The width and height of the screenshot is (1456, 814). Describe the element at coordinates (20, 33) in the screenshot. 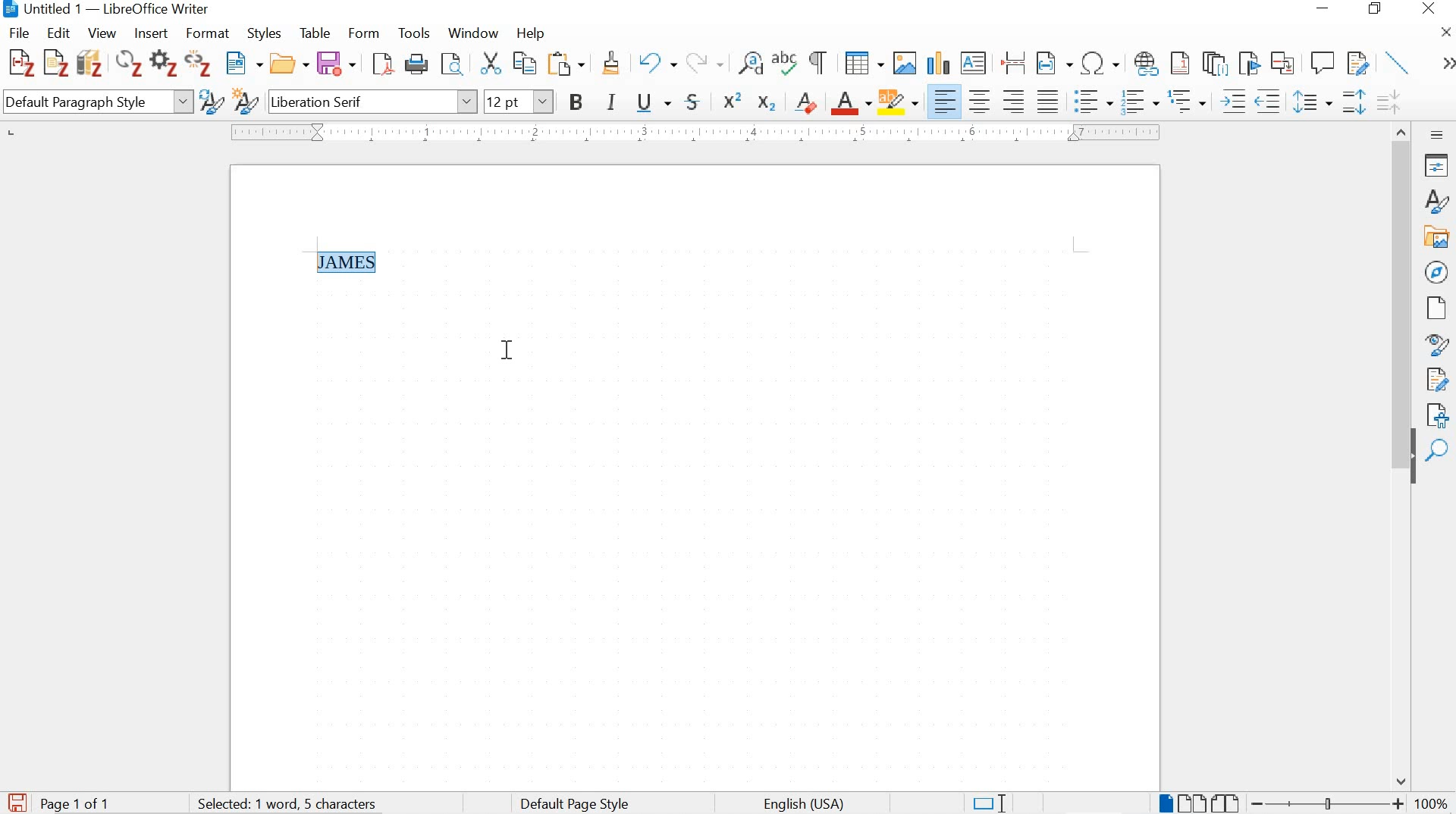

I see `file` at that location.